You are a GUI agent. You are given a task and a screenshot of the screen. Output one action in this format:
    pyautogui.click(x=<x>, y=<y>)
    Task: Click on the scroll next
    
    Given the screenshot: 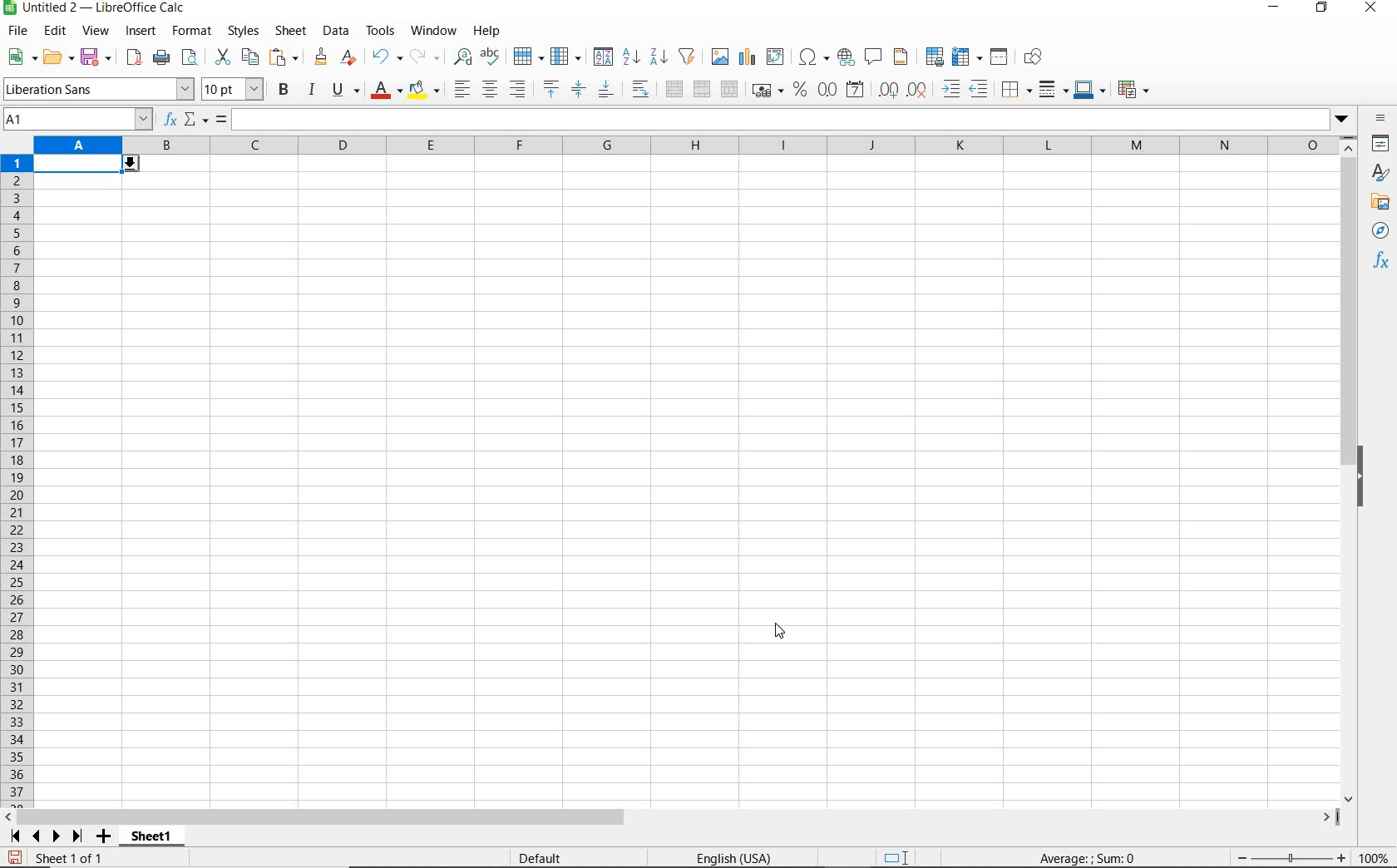 What is the action you would take?
    pyautogui.click(x=42, y=836)
    